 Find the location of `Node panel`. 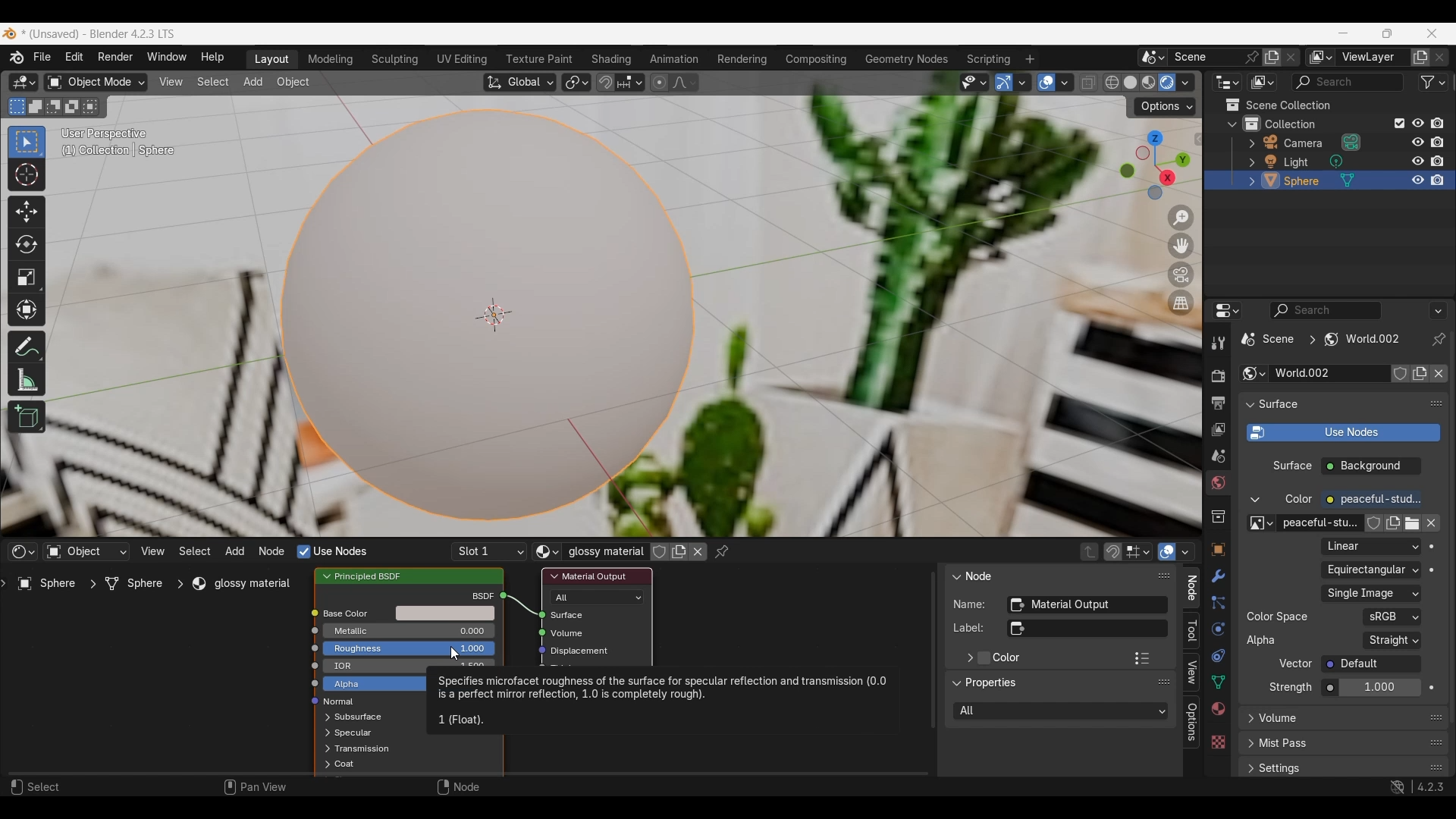

Node panel is located at coordinates (1191, 588).